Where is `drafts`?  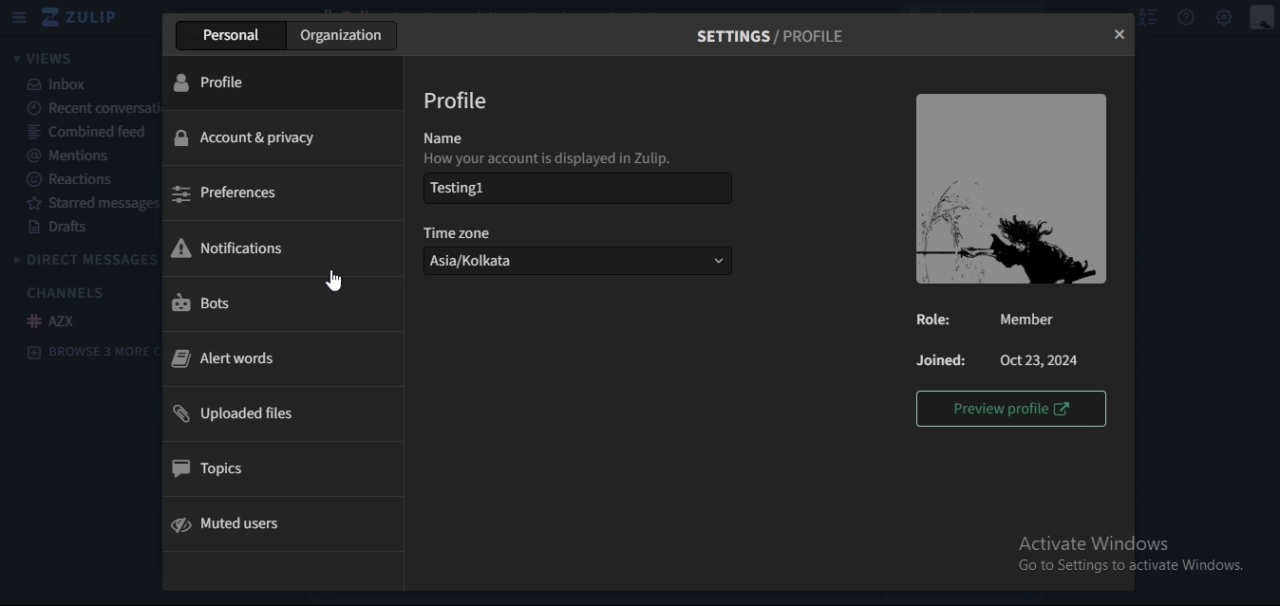 drafts is located at coordinates (64, 227).